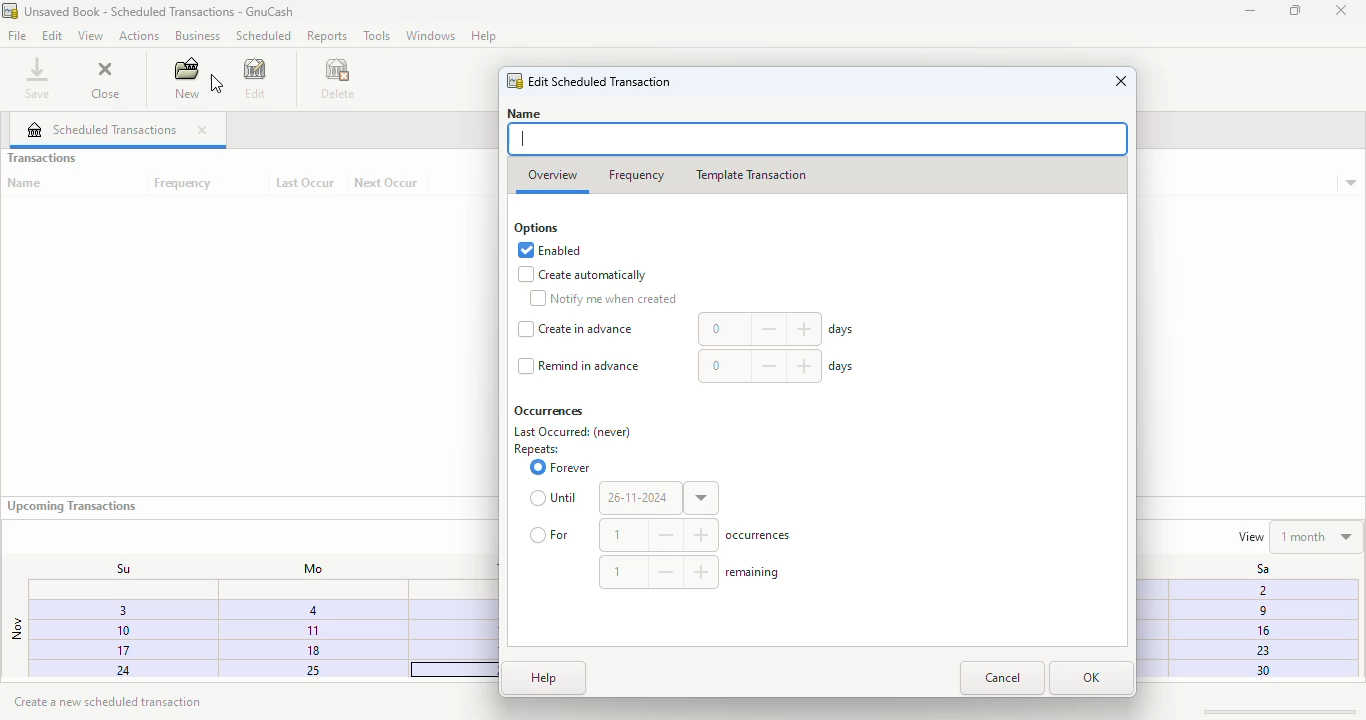  I want to click on windows, so click(430, 35).